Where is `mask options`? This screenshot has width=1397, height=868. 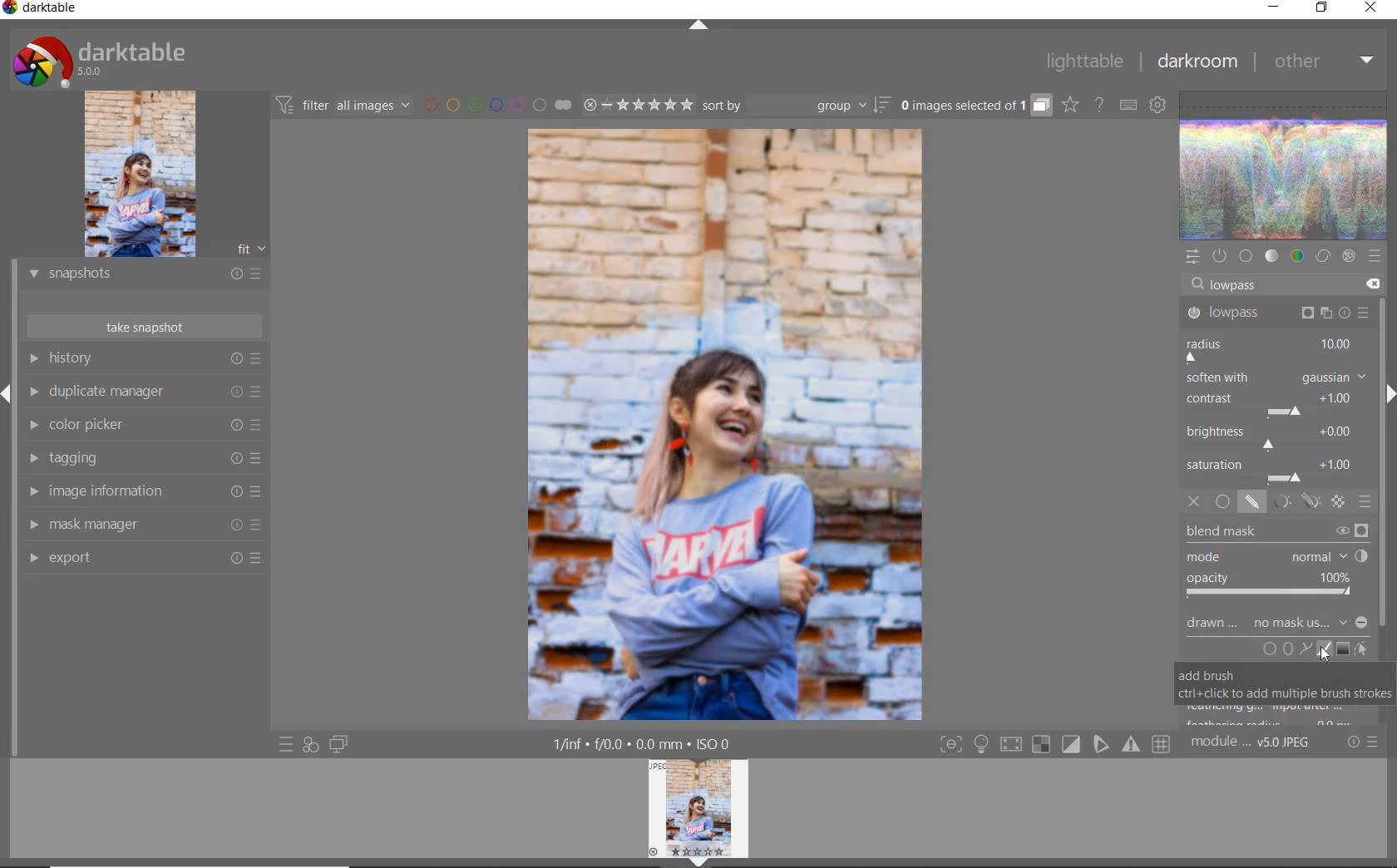 mask options is located at coordinates (1293, 502).